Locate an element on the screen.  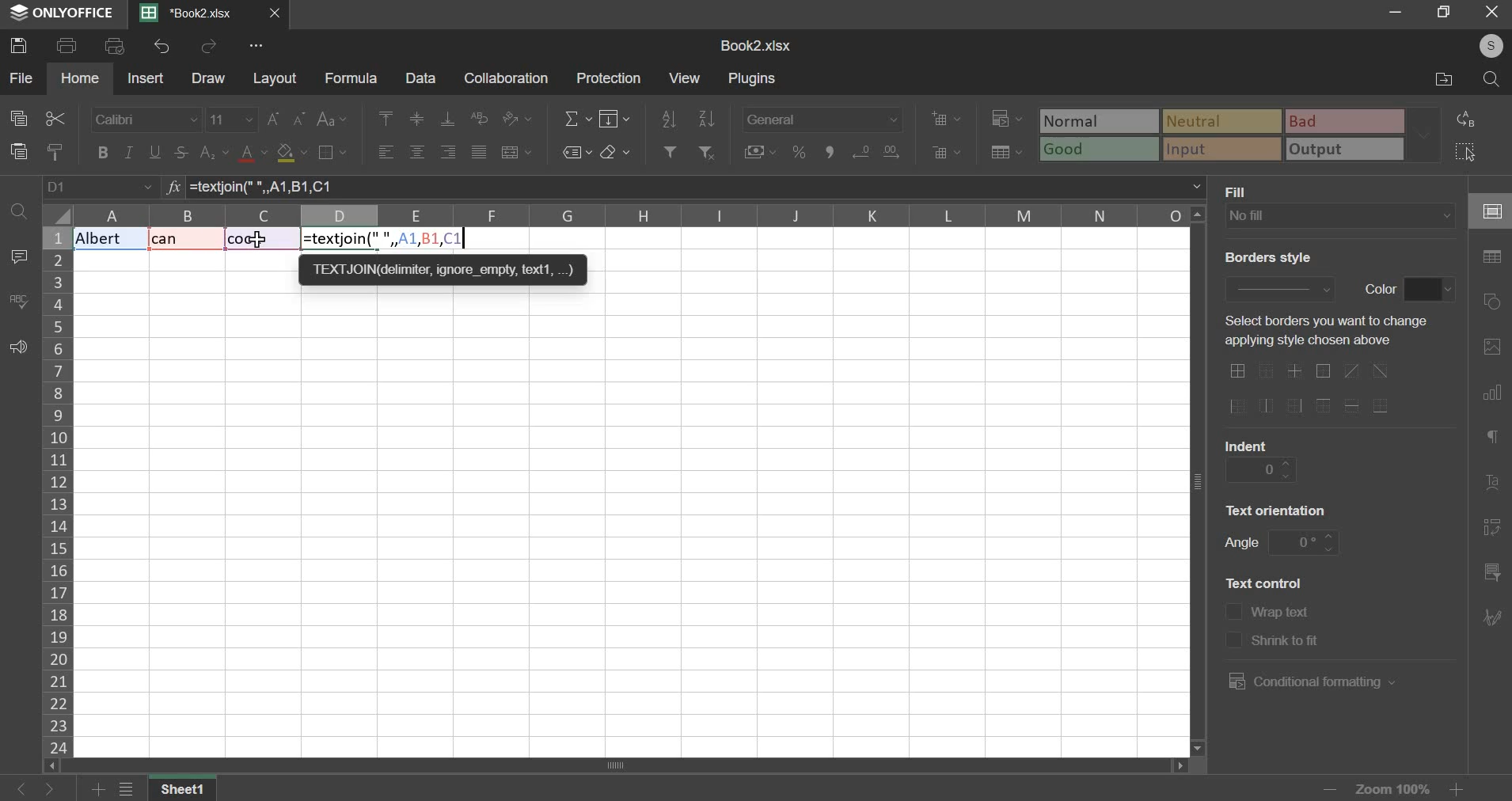
protection is located at coordinates (612, 78).